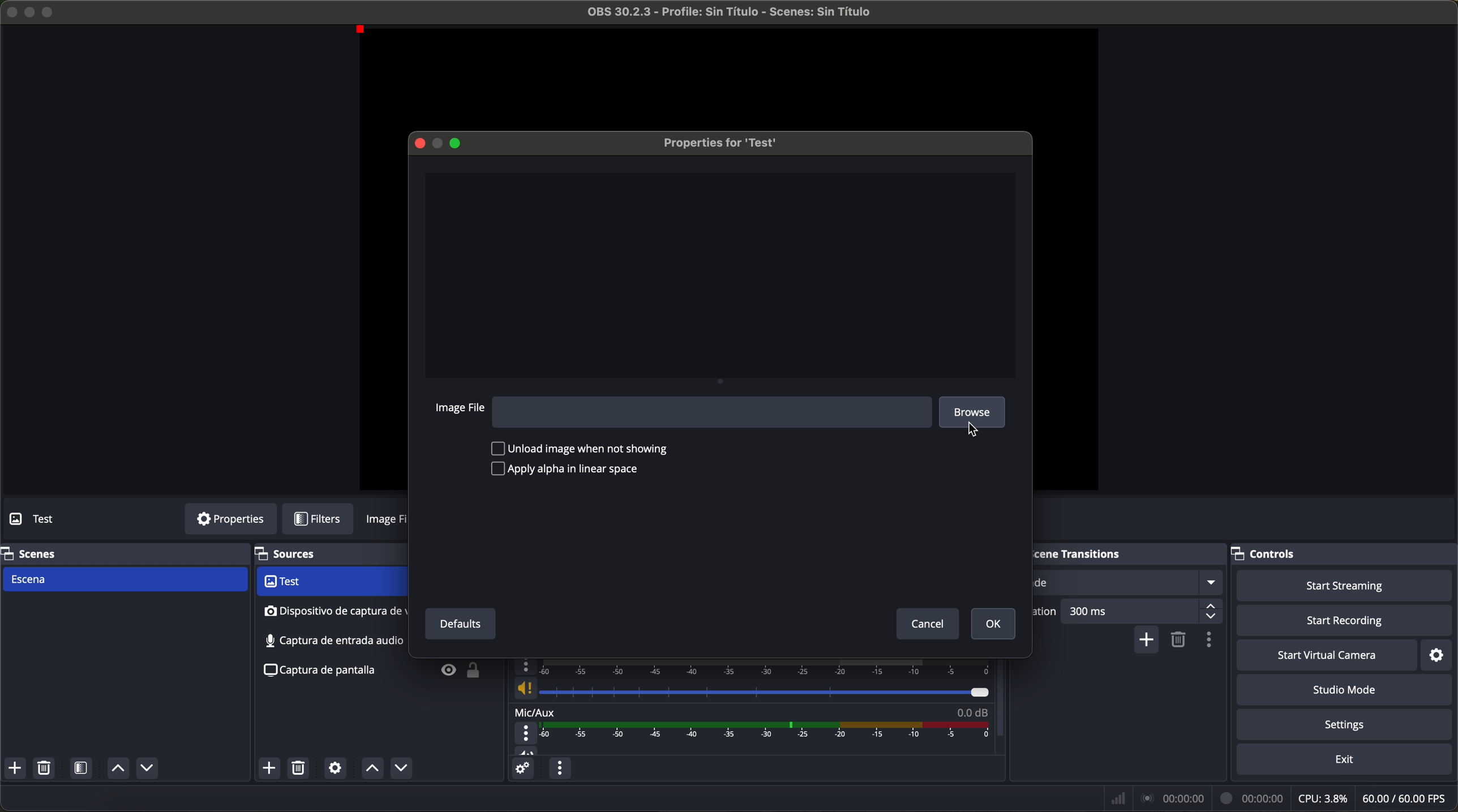 The image size is (1458, 812). Describe the element at coordinates (1327, 655) in the screenshot. I see `start virtual camera` at that location.